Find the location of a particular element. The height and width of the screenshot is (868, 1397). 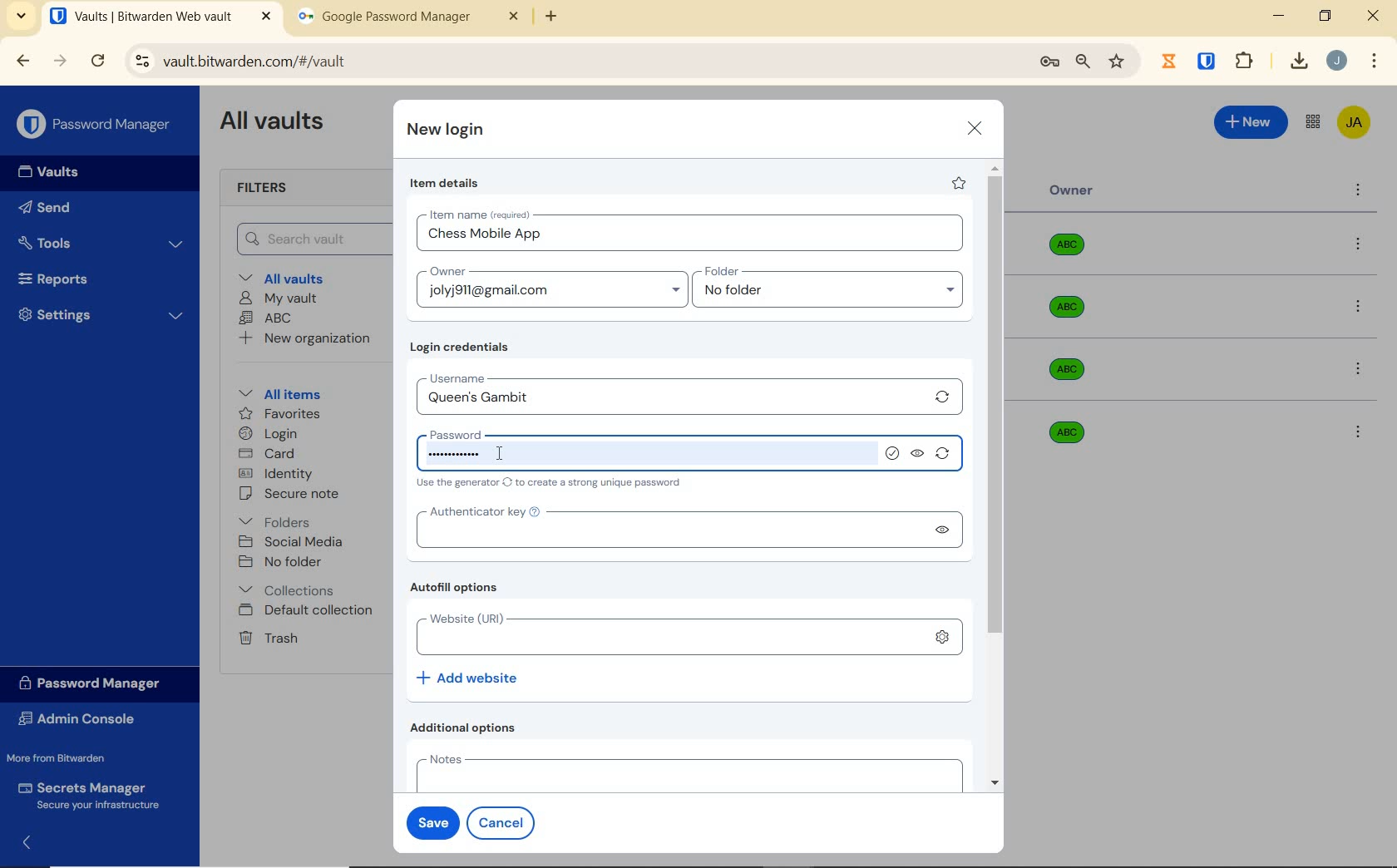

Social media is located at coordinates (289, 541).